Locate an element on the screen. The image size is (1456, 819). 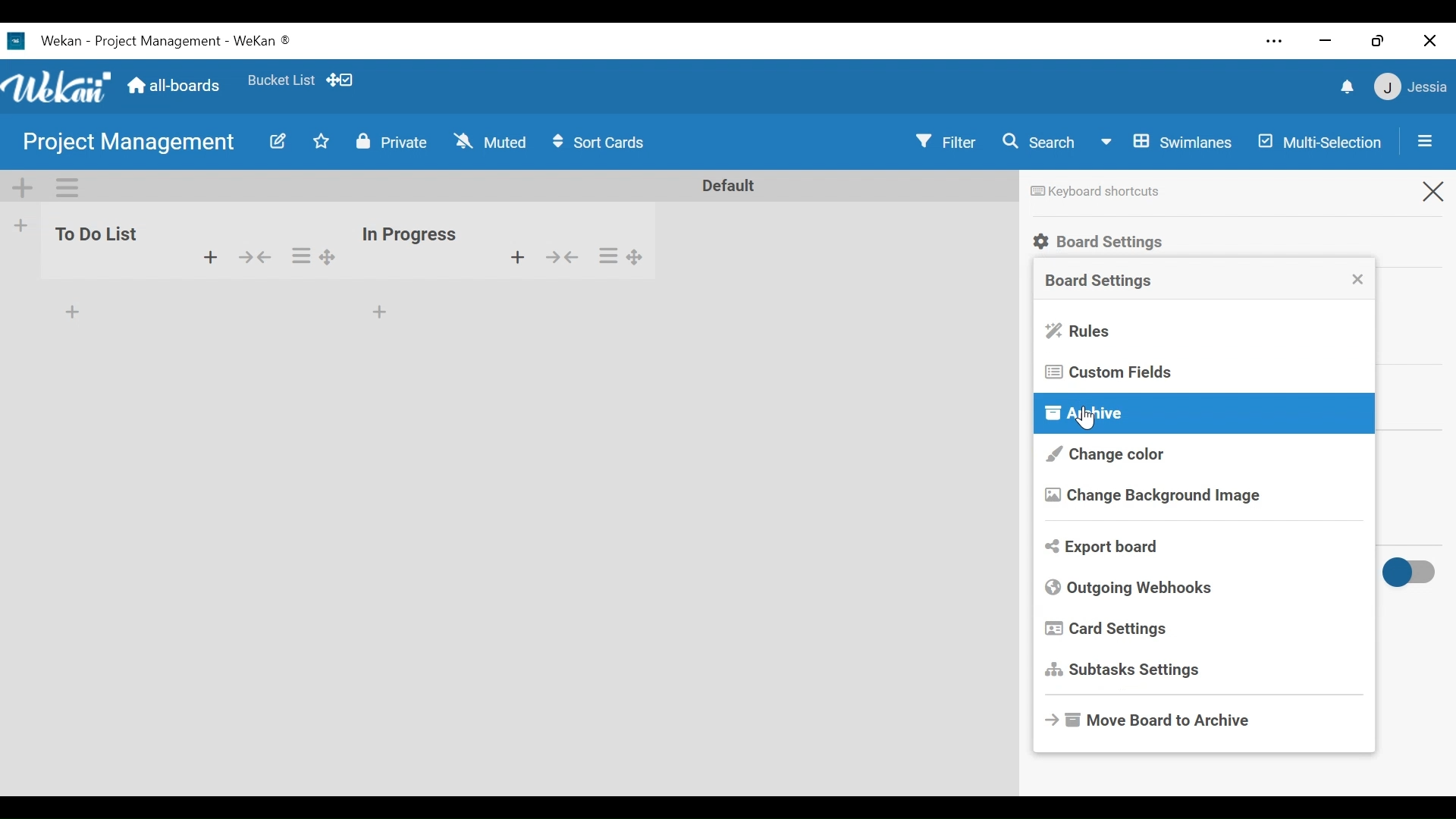
Keyboard shortcuts is located at coordinates (1098, 193).